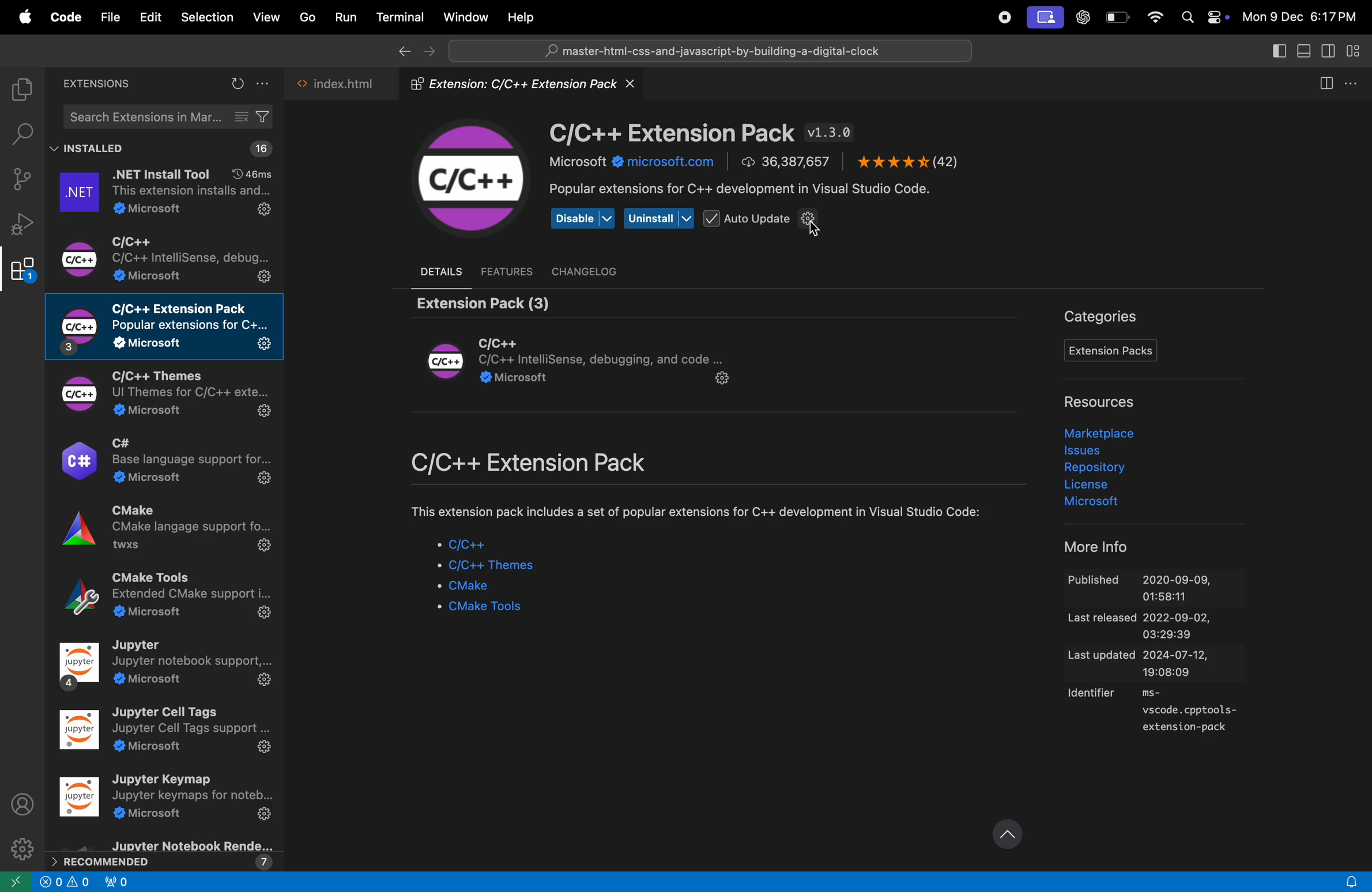 Image resolution: width=1372 pixels, height=892 pixels. What do you see at coordinates (163, 598) in the screenshot?
I see `CMake tools extensions` at bounding box center [163, 598].